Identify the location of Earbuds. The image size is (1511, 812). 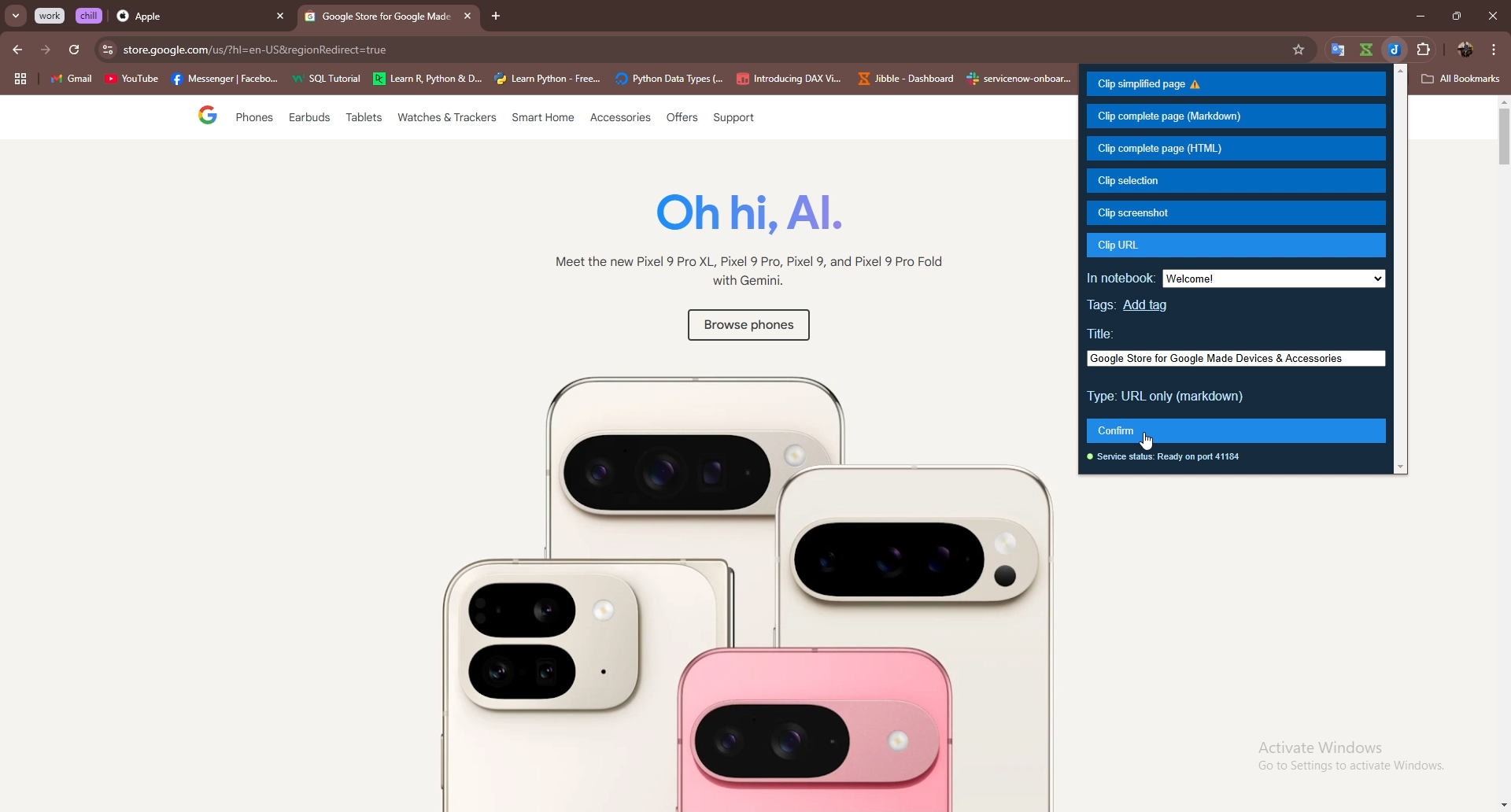
(311, 121).